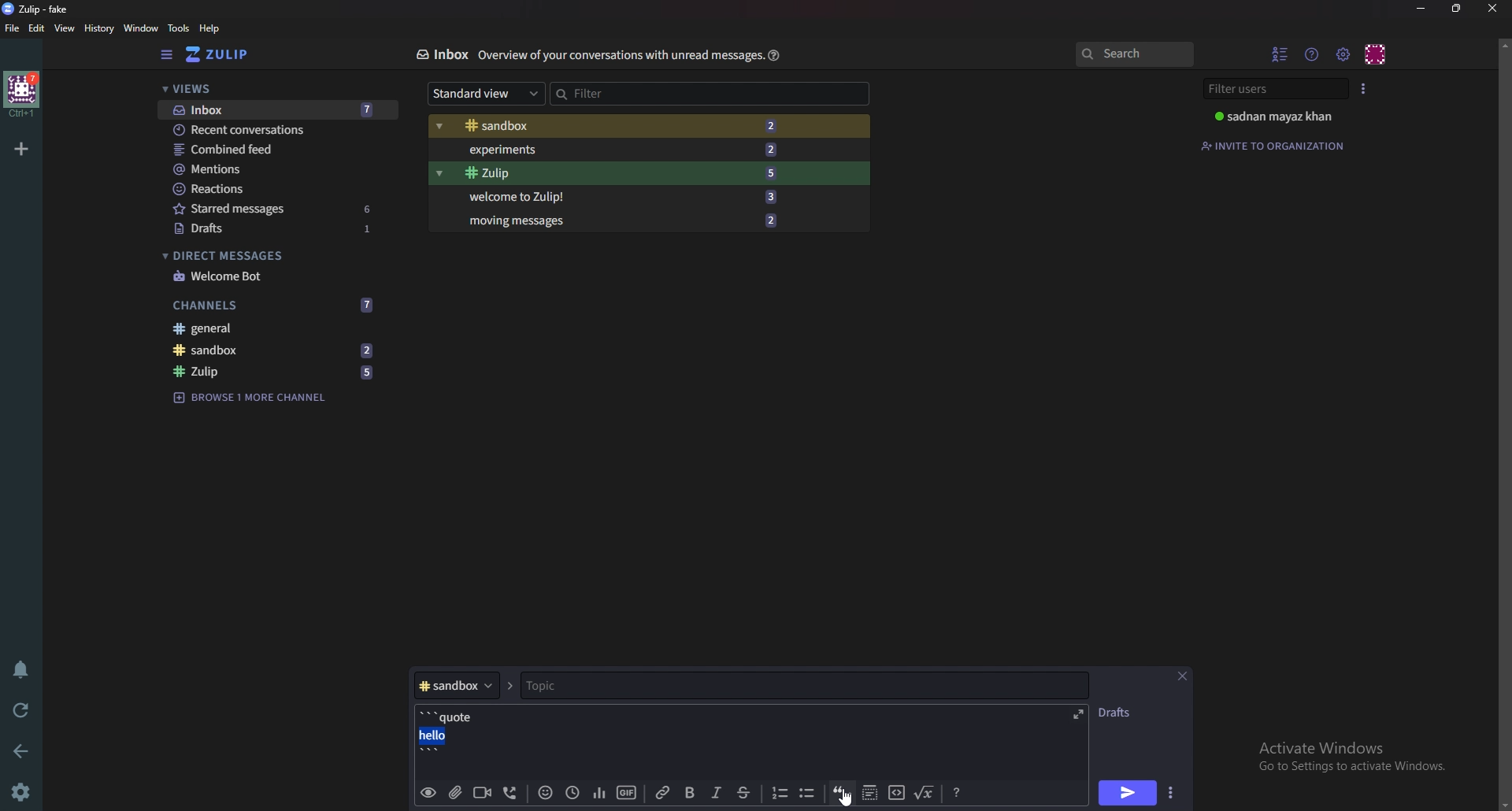  I want to click on Add file, so click(455, 791).